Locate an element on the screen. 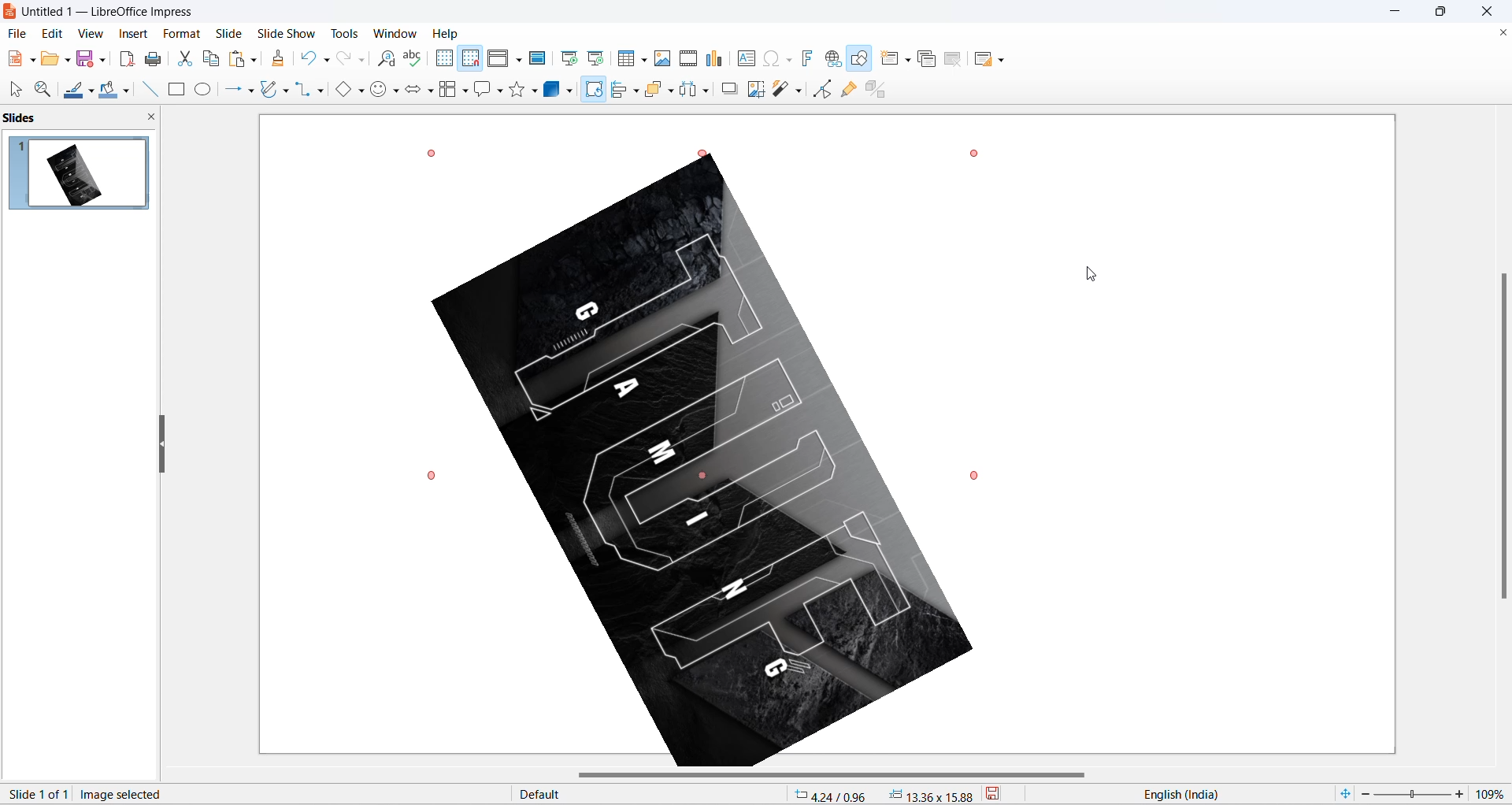 The image size is (1512, 805). basic shapes is located at coordinates (339, 91).